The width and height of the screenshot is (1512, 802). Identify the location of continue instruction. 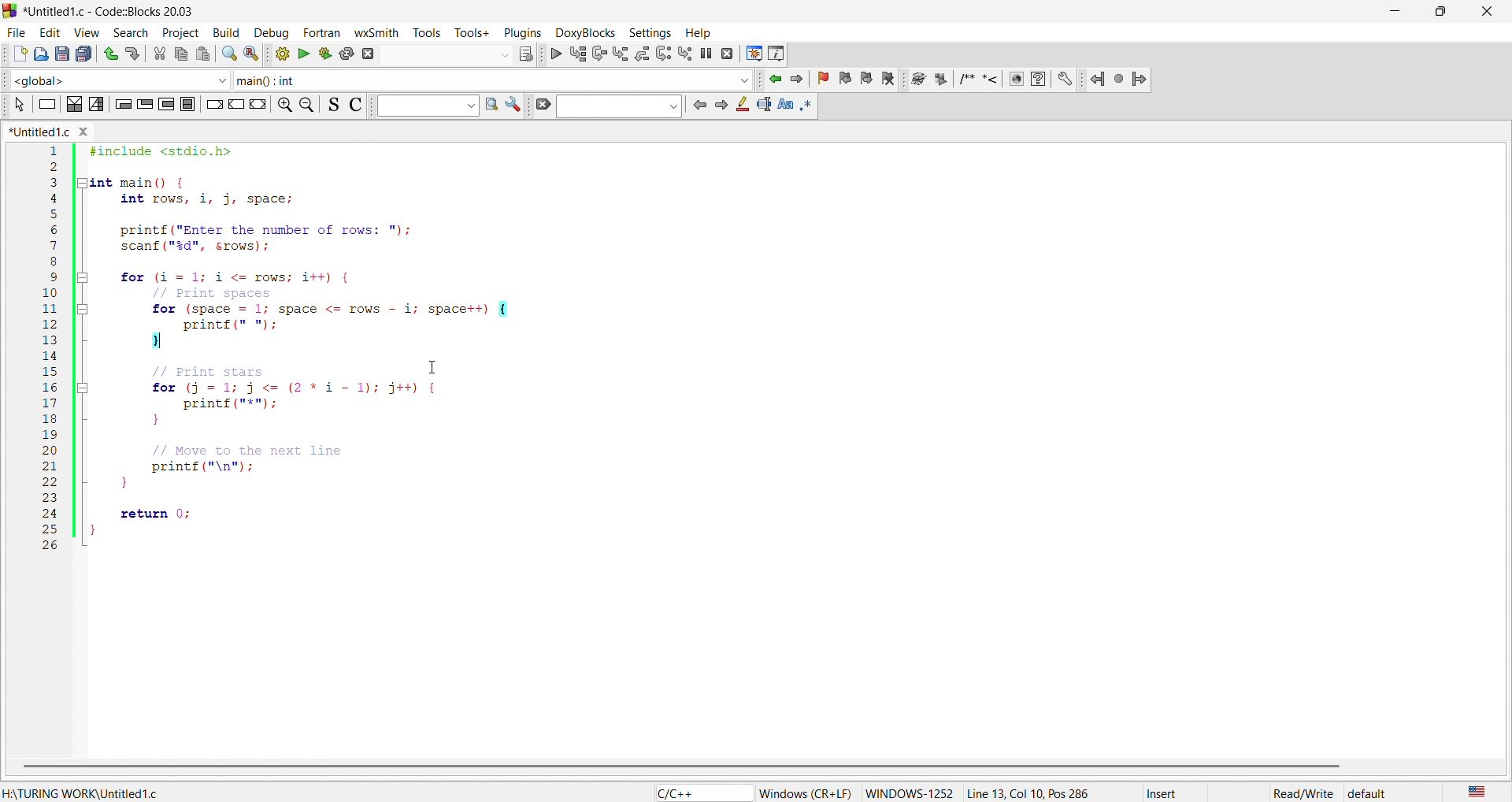
(235, 104).